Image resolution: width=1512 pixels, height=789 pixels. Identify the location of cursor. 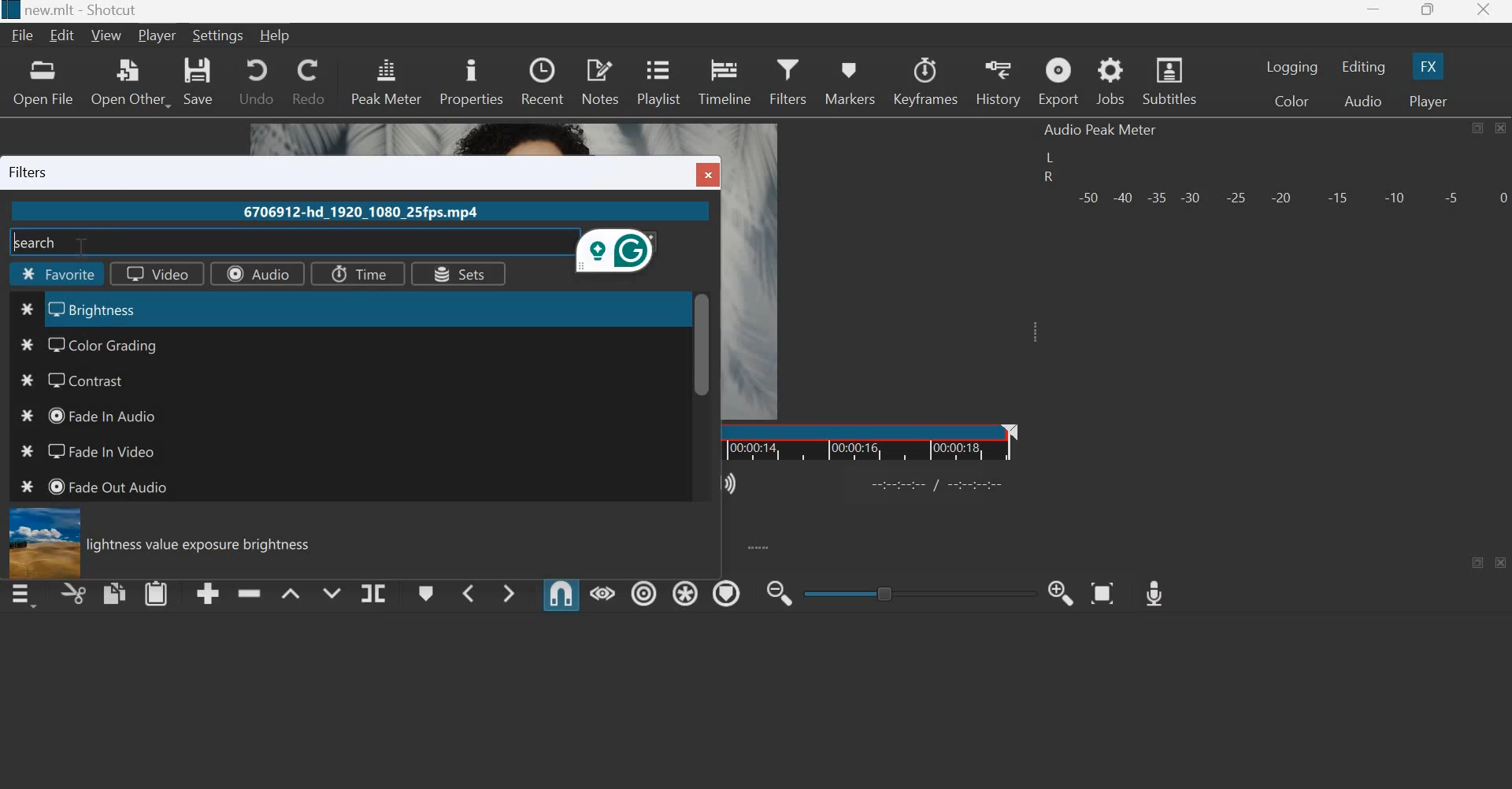
(85, 246).